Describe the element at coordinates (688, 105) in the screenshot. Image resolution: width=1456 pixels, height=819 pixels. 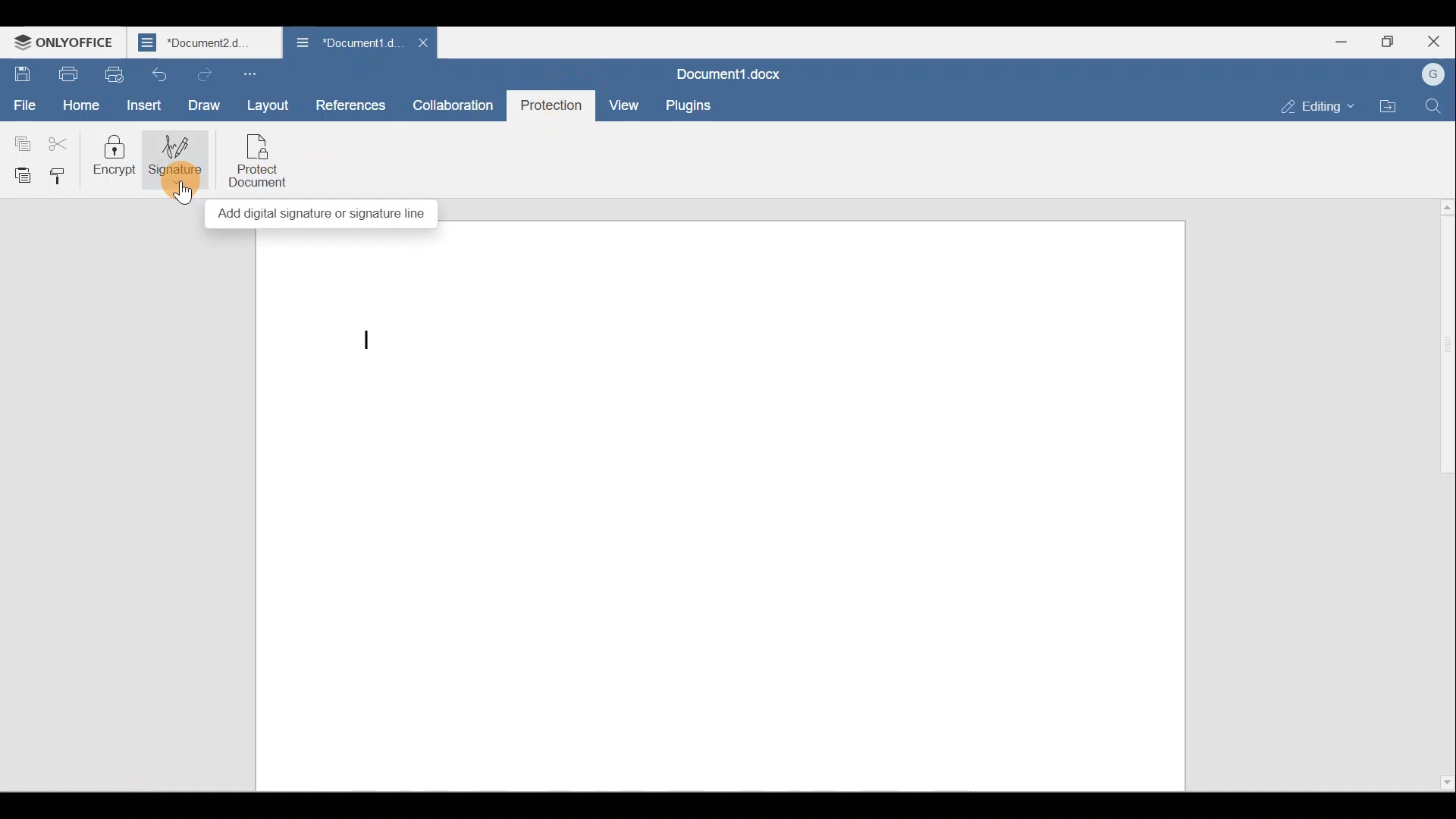
I see `Plugins` at that location.